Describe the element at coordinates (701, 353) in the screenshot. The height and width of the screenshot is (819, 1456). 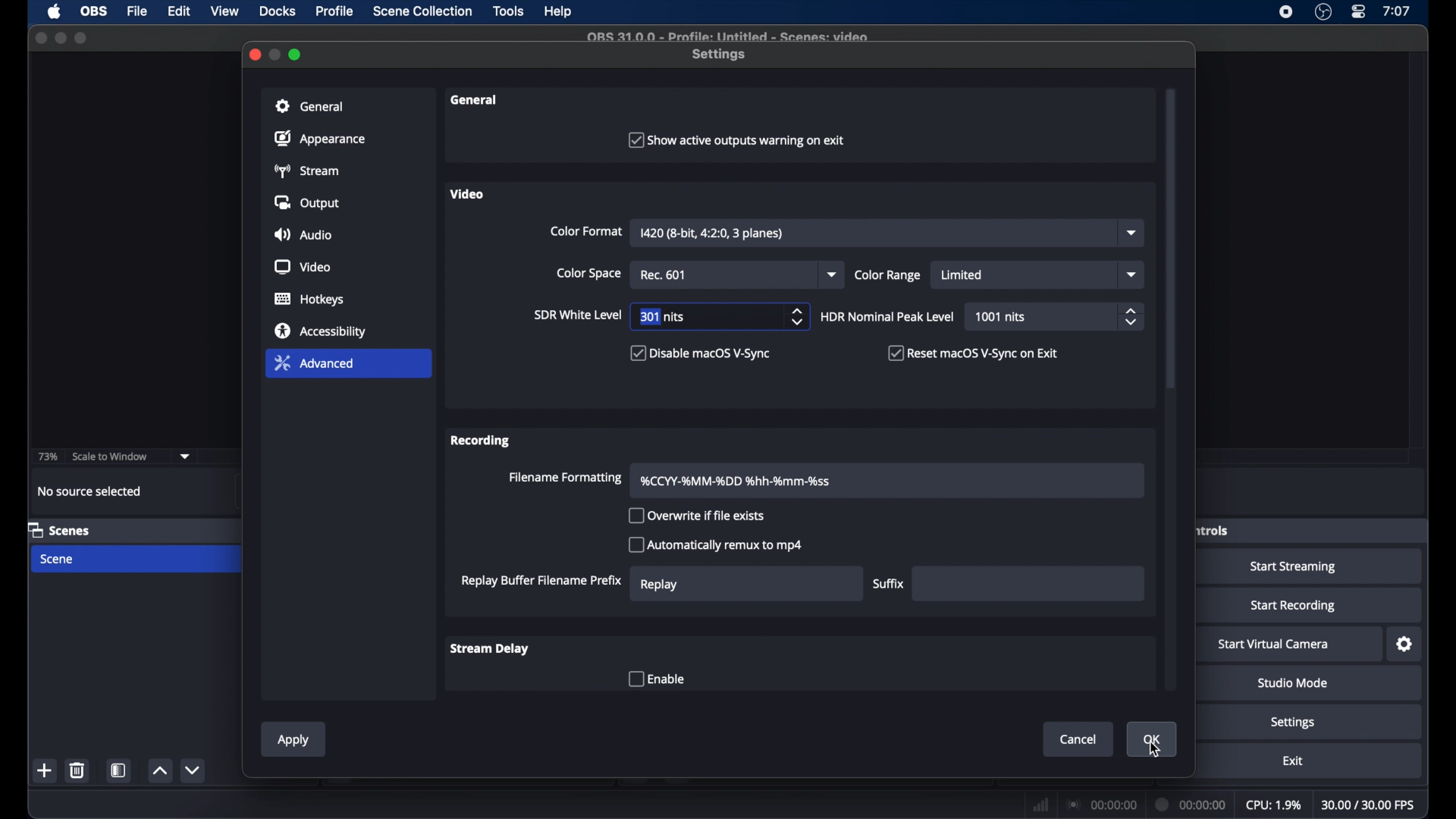
I see `checkbox` at that location.